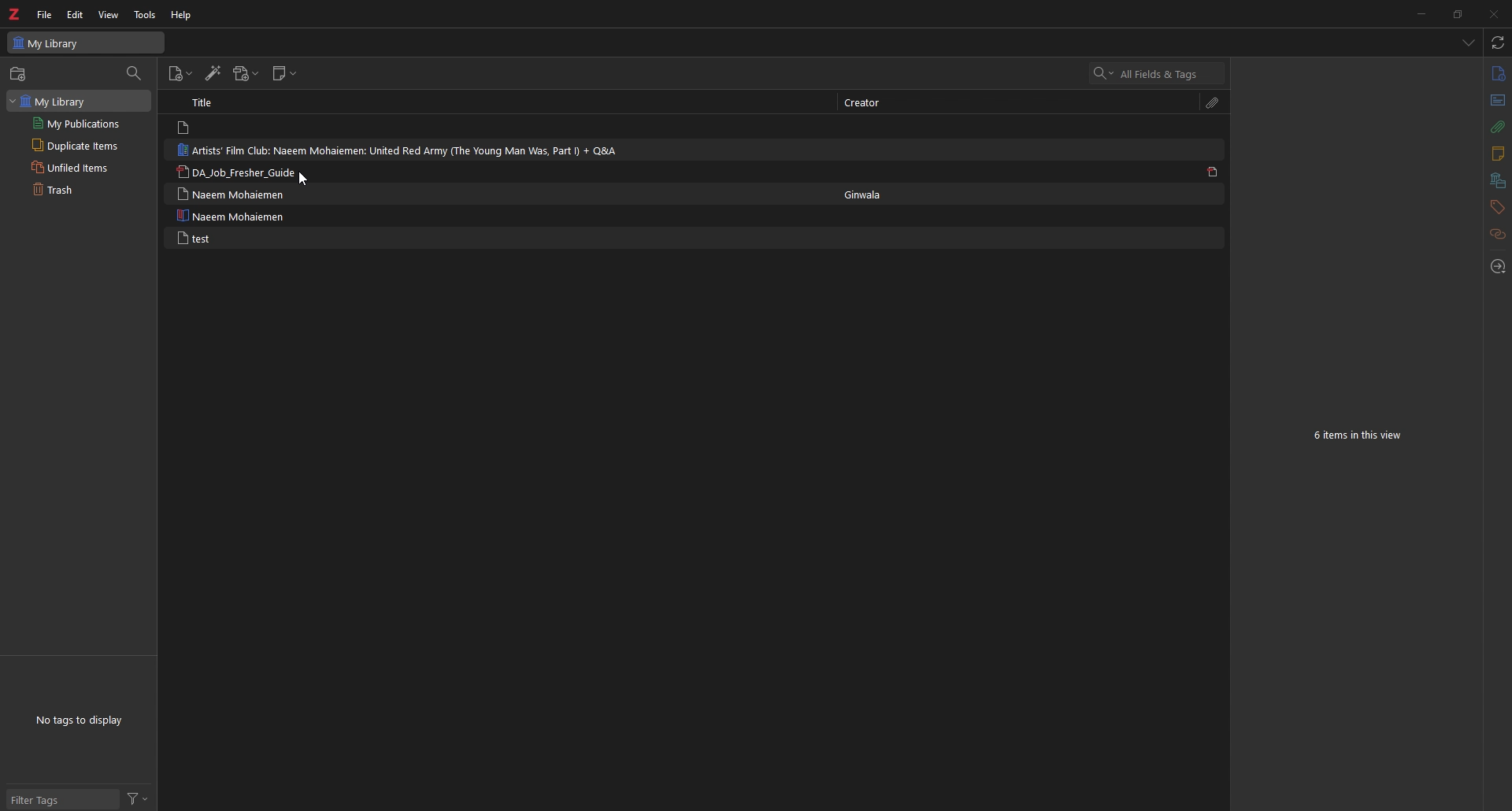 The width and height of the screenshot is (1512, 811). What do you see at coordinates (1497, 100) in the screenshot?
I see `abstract` at bounding box center [1497, 100].